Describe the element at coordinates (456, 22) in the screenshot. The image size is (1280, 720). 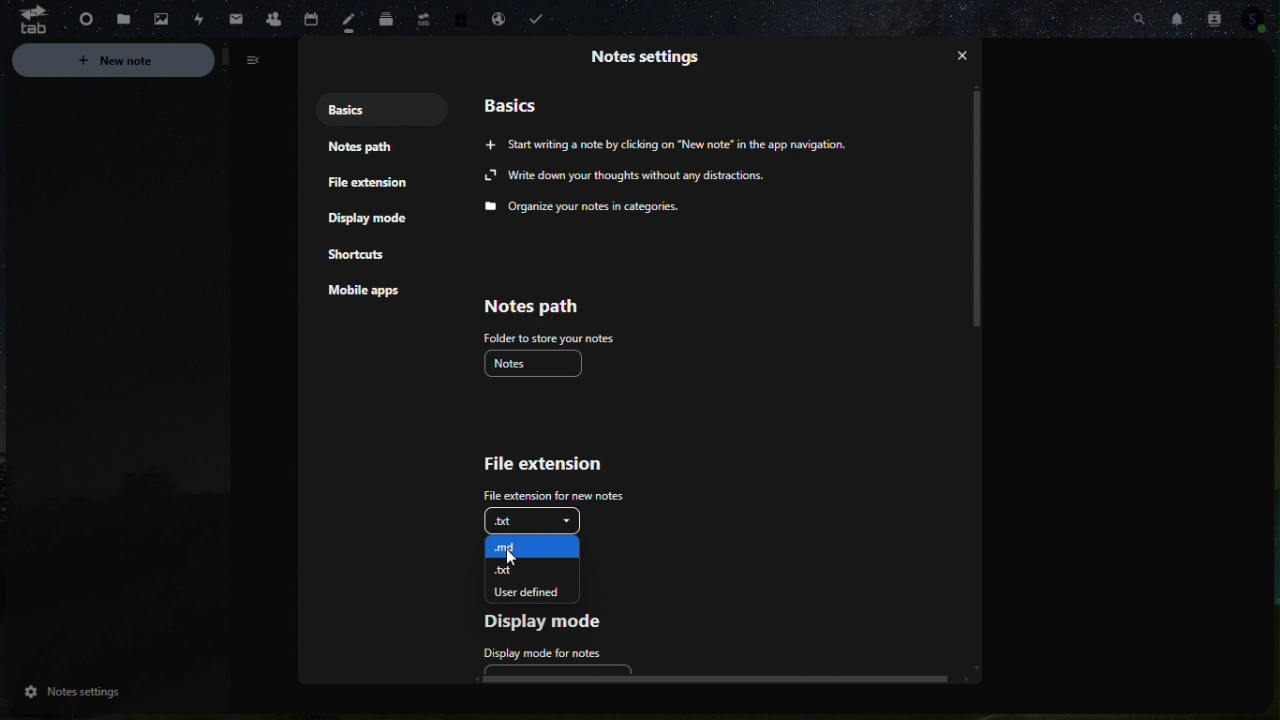
I see `free trial` at that location.